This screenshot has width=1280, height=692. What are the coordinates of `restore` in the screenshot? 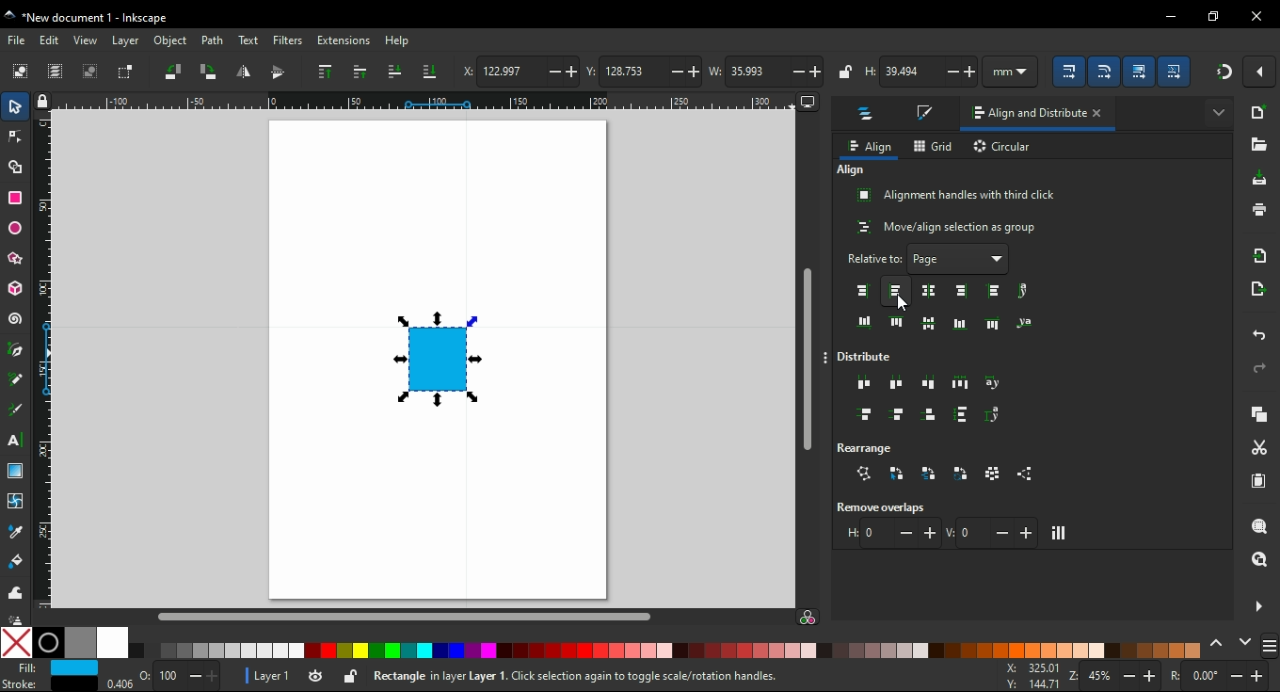 It's located at (1216, 16).